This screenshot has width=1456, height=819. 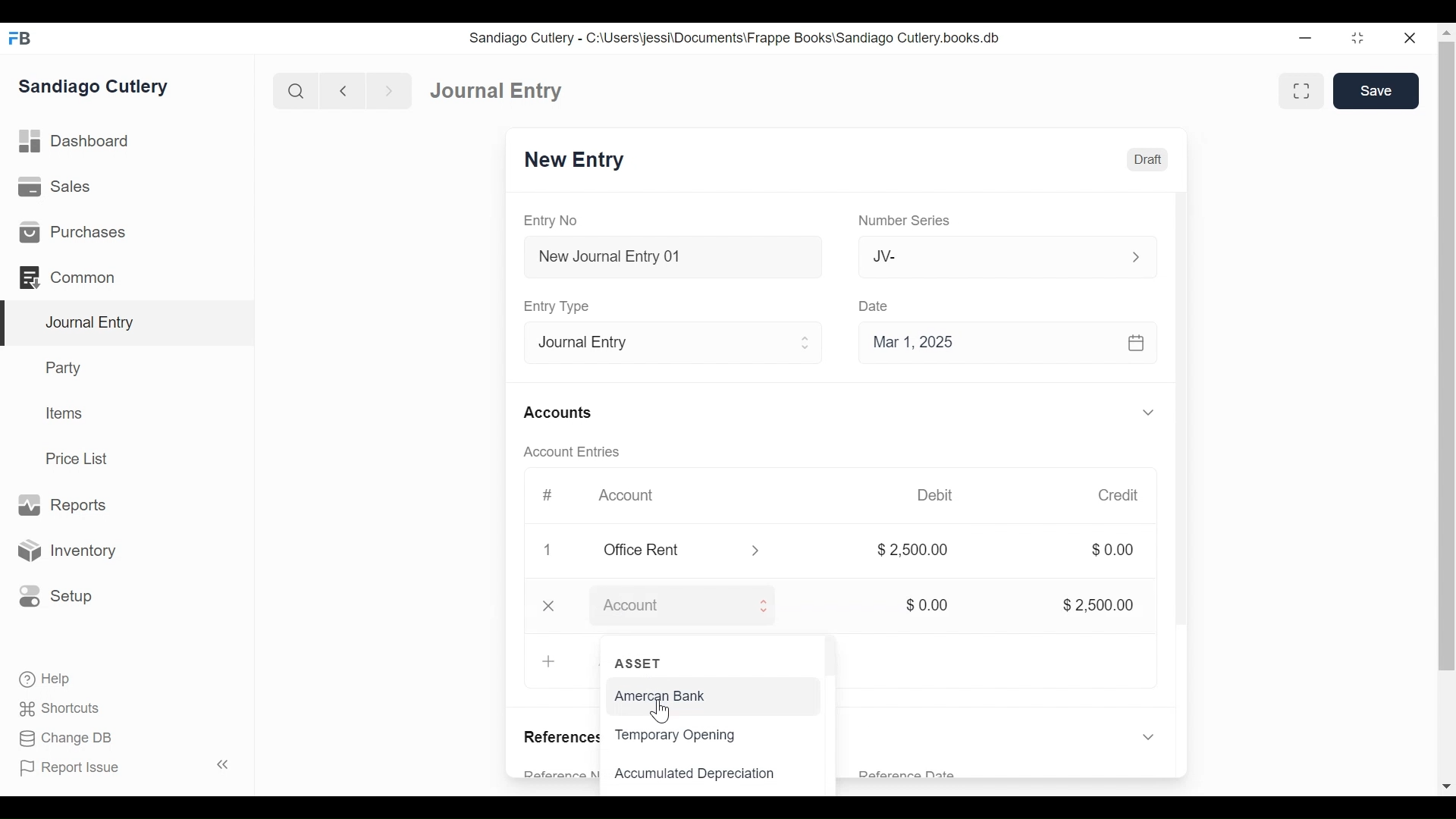 I want to click on Purchases, so click(x=127, y=231).